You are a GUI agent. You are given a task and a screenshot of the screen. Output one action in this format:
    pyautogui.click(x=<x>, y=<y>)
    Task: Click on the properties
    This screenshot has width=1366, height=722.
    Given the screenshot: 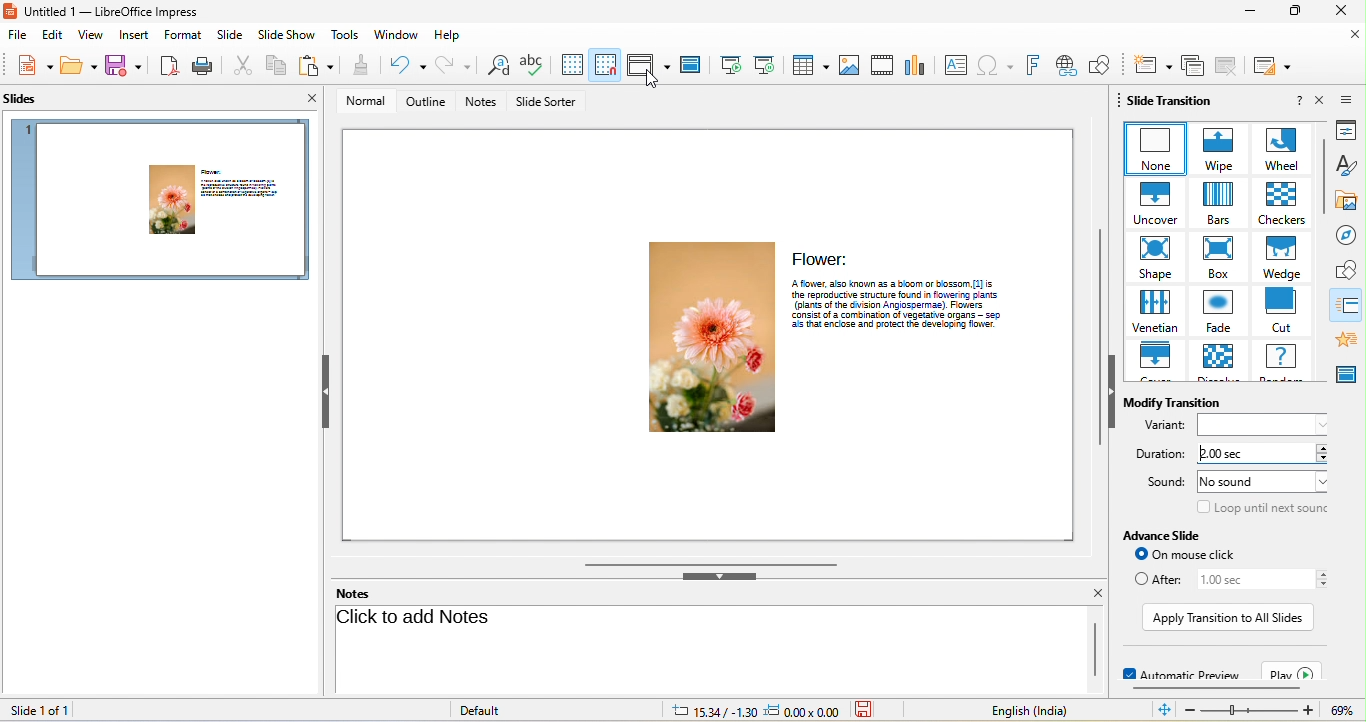 What is the action you would take?
    pyautogui.click(x=1351, y=130)
    